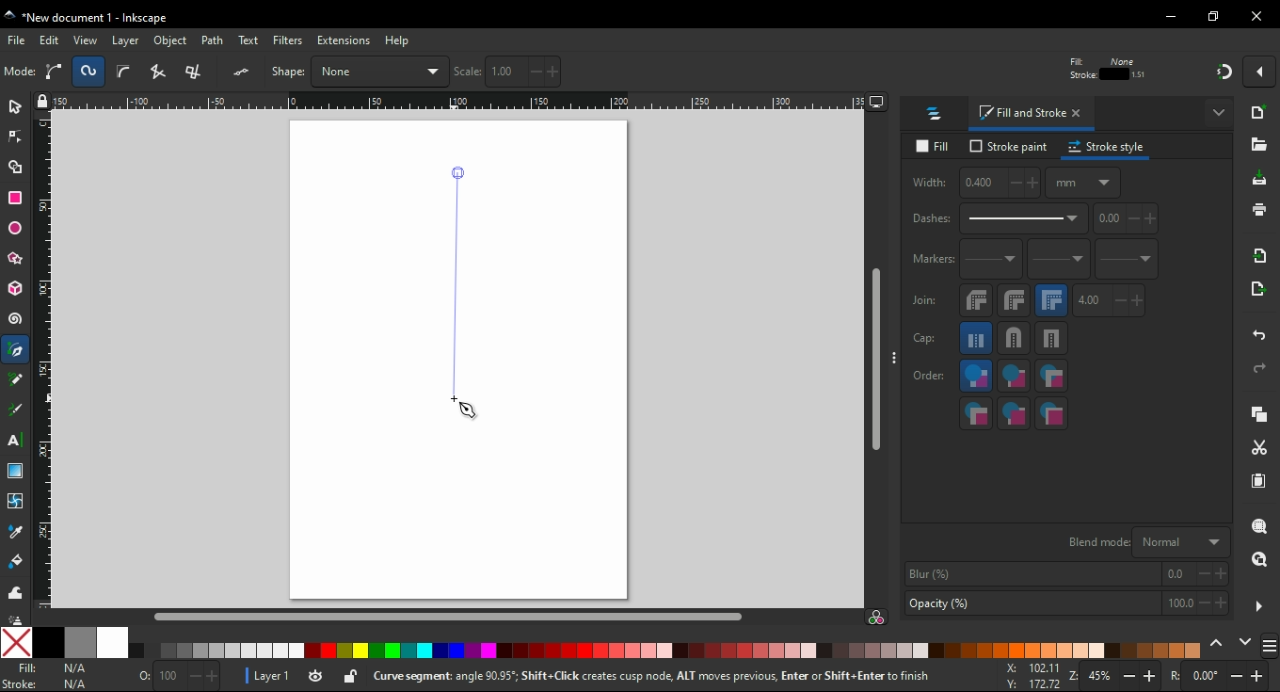 The height and width of the screenshot is (692, 1280). I want to click on Layer 1, so click(275, 678).